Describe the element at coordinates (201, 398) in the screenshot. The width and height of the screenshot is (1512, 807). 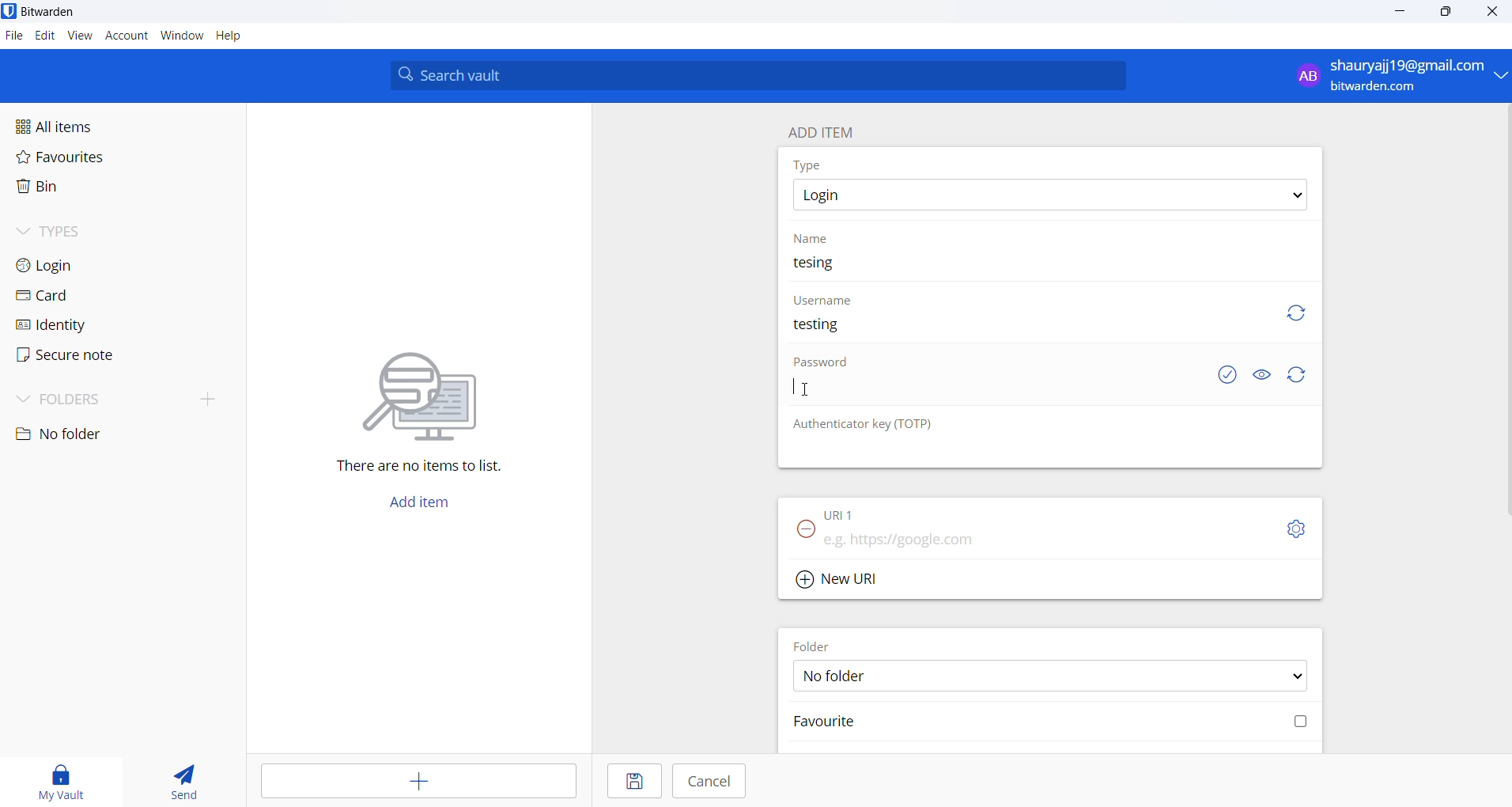
I see `add folder` at that location.